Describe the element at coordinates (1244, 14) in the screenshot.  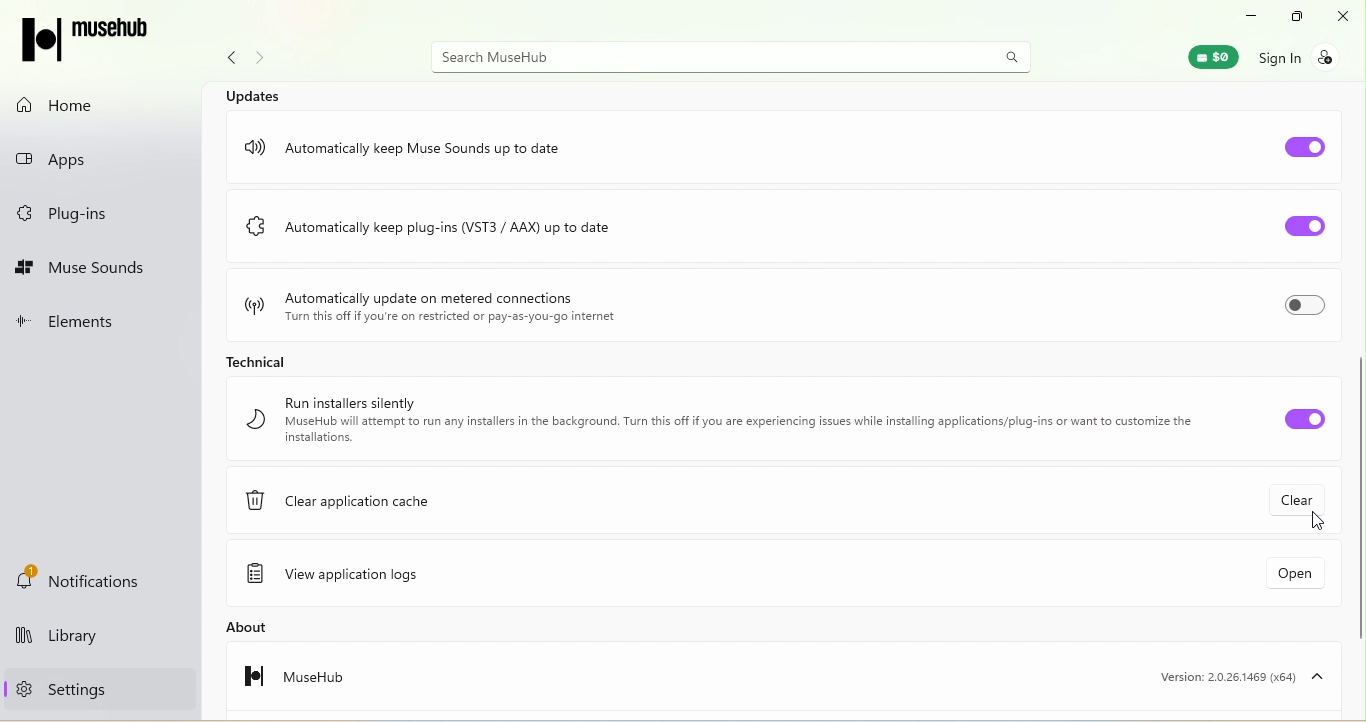
I see `Minimize` at that location.